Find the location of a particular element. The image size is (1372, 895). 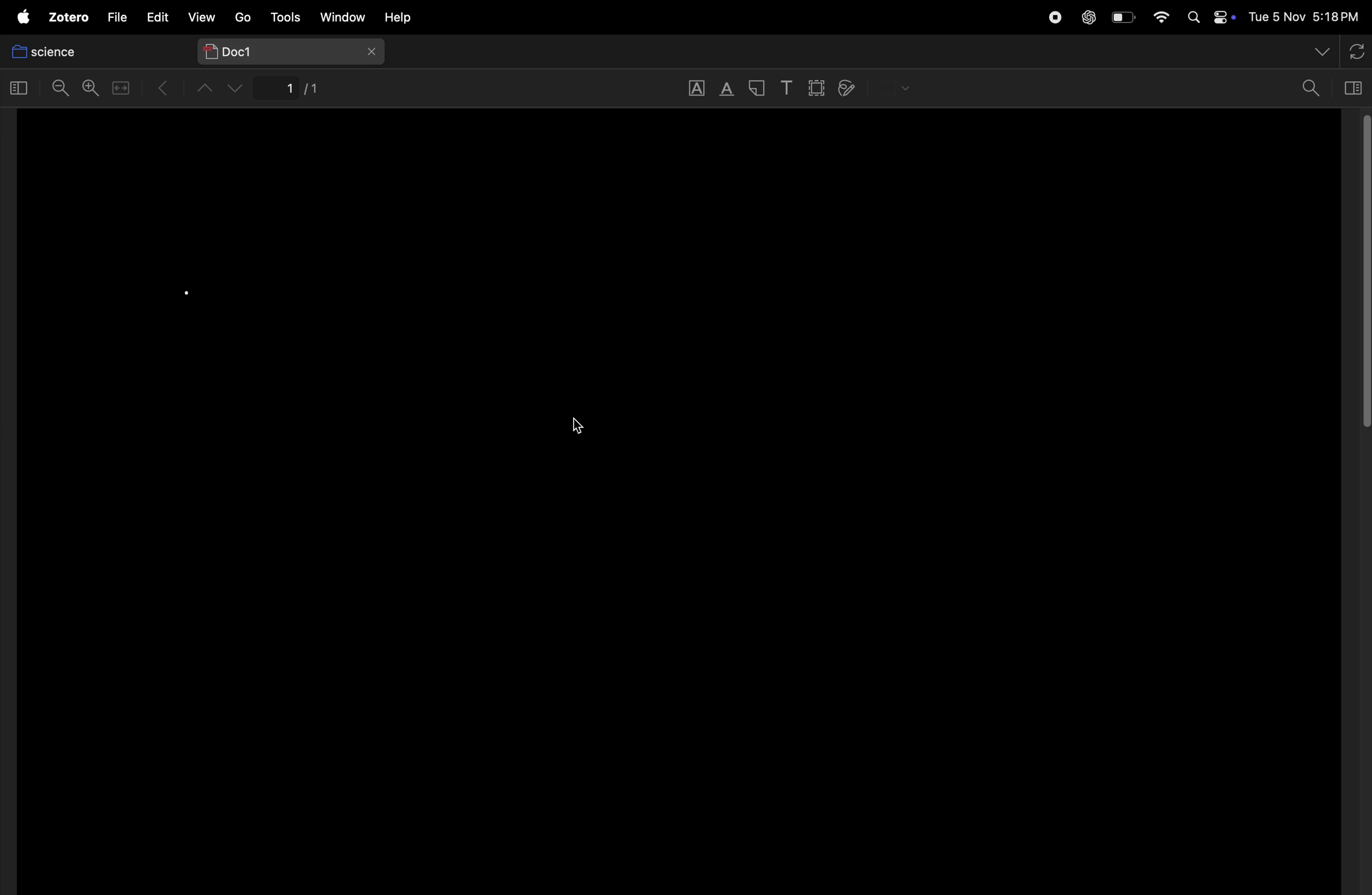

note annotation is located at coordinates (757, 89).